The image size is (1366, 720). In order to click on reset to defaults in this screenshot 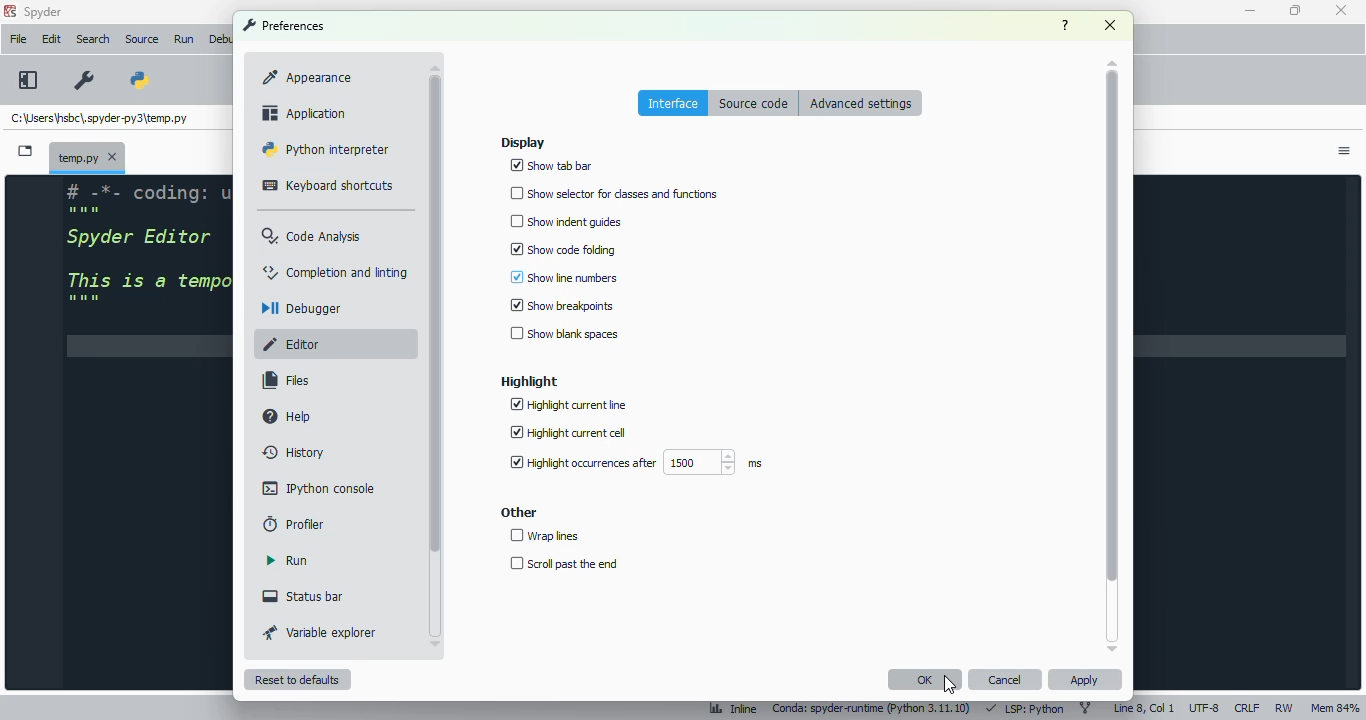, I will do `click(297, 679)`.